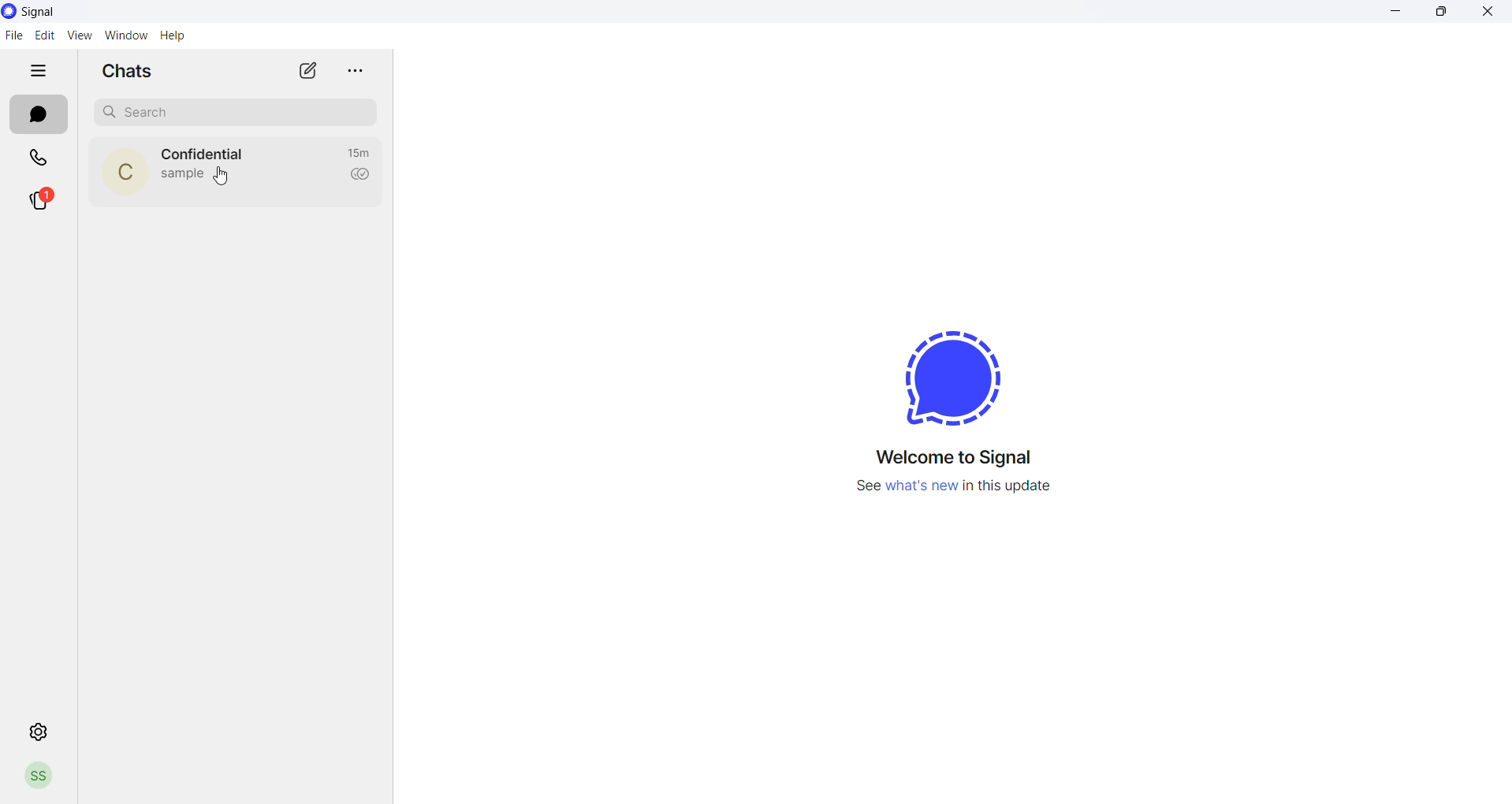  What do you see at coordinates (39, 200) in the screenshot?
I see `stories` at bounding box center [39, 200].